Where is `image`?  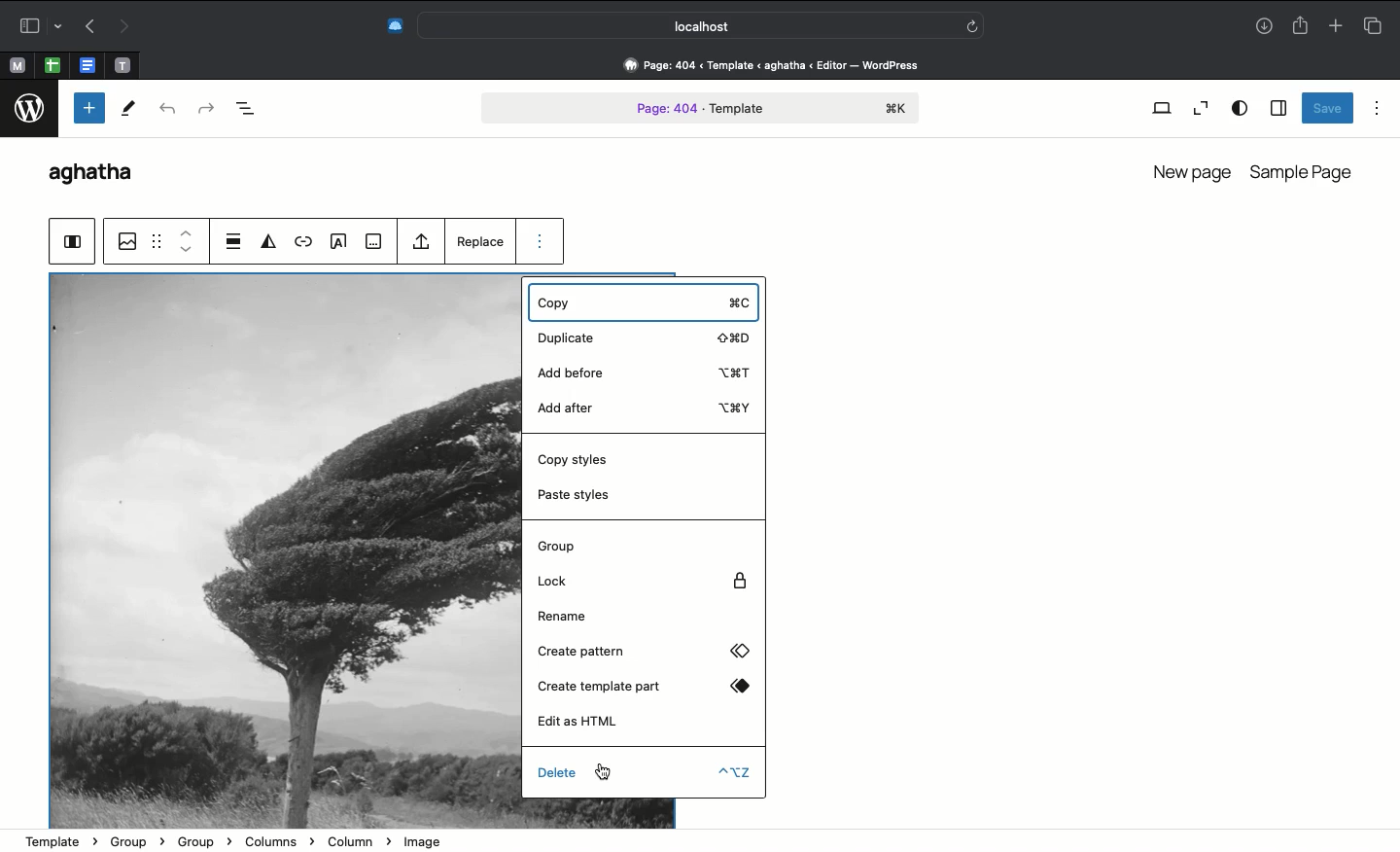
image is located at coordinates (285, 548).